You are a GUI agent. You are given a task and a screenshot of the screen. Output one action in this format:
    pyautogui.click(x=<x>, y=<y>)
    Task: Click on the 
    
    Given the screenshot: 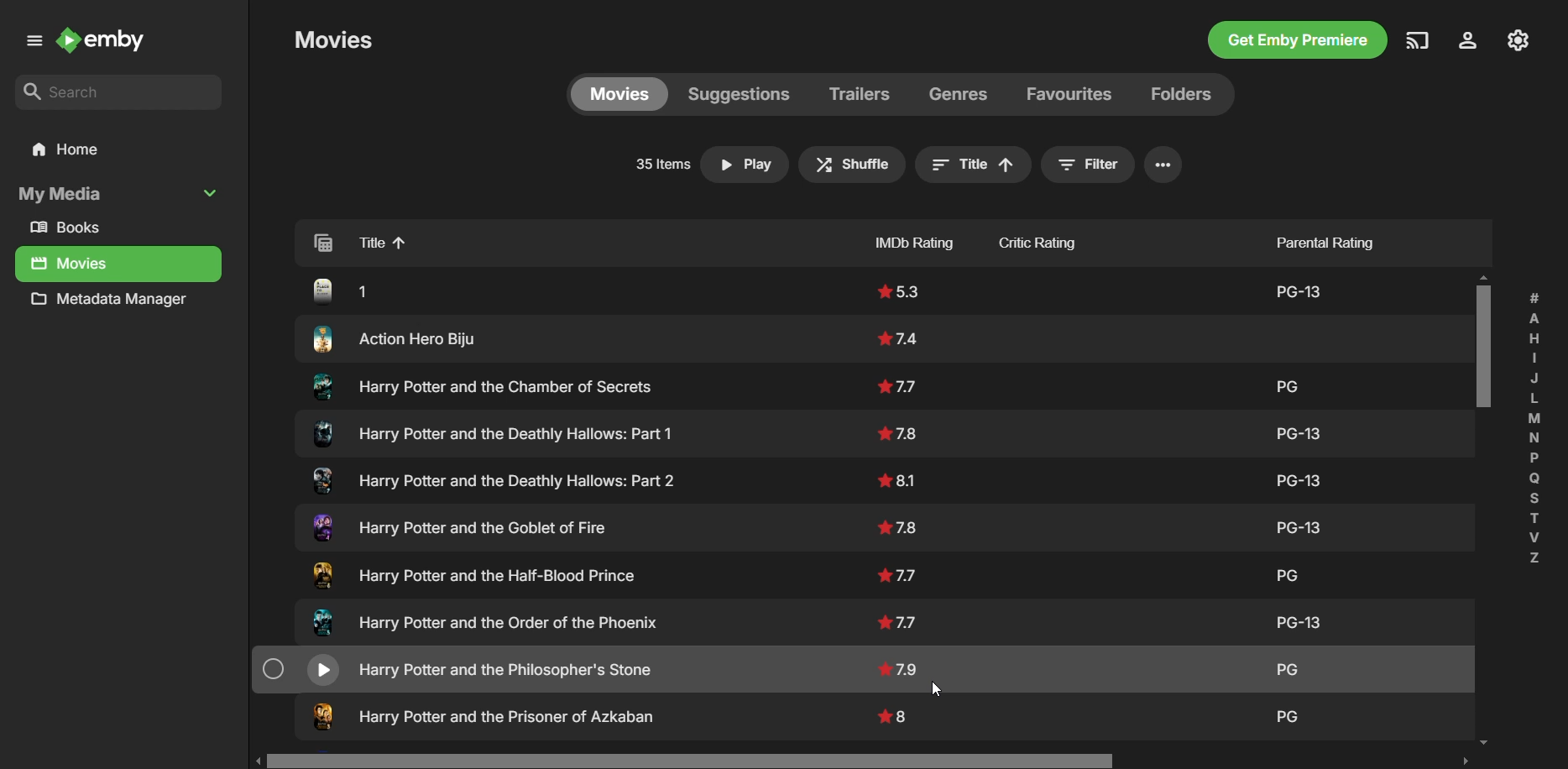 What is the action you would take?
    pyautogui.click(x=1292, y=474)
    